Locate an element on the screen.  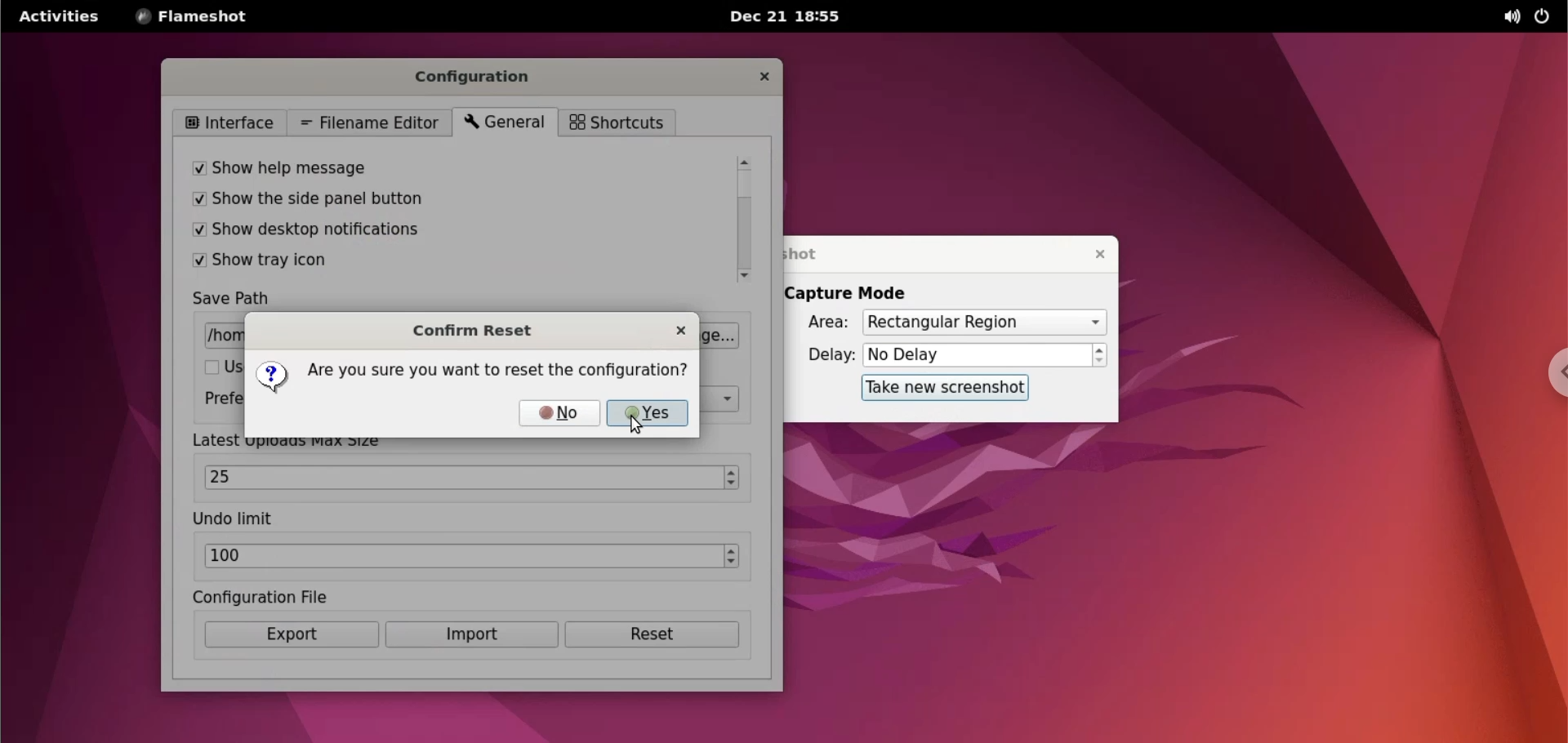
cursor is located at coordinates (636, 428).